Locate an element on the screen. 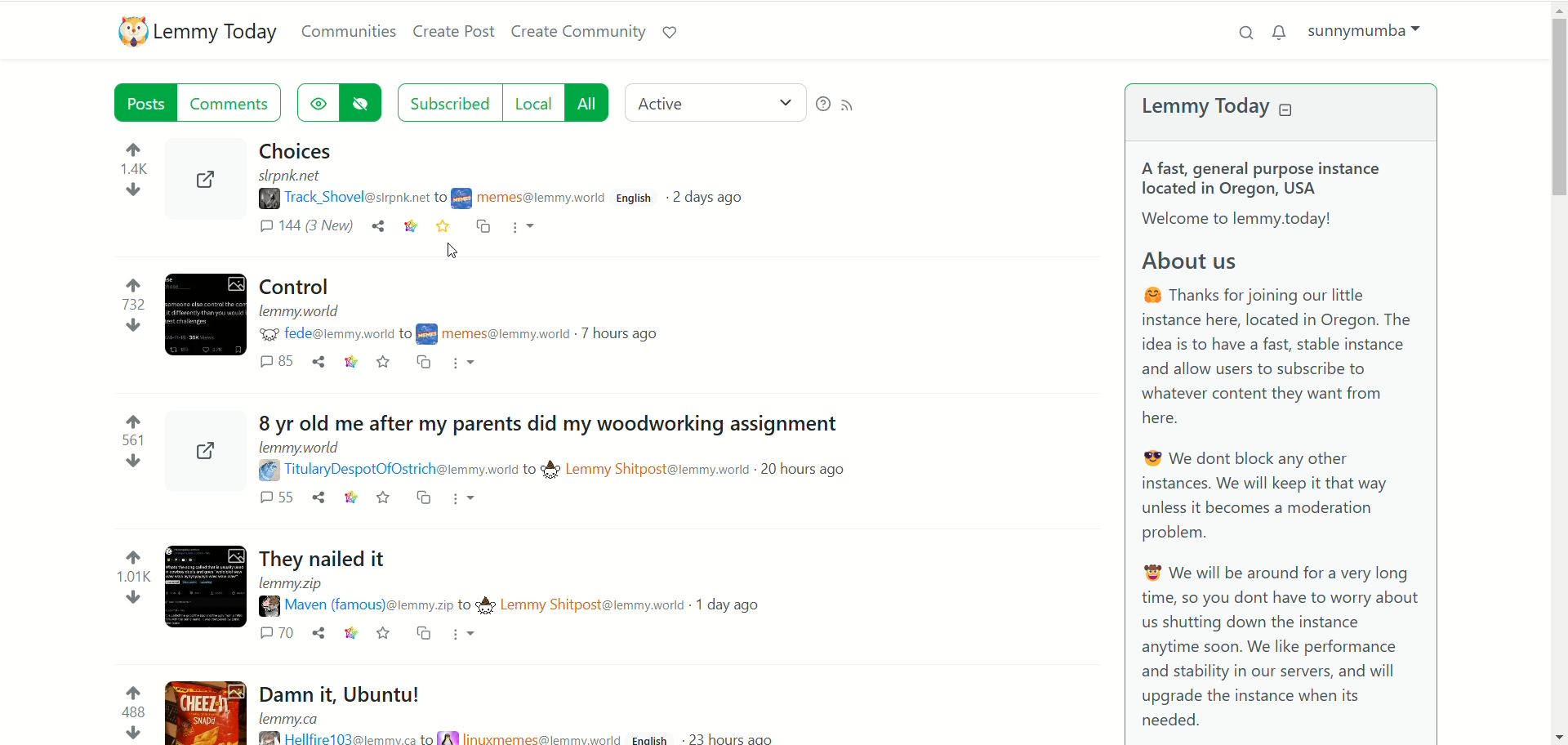  comments is located at coordinates (302, 229).